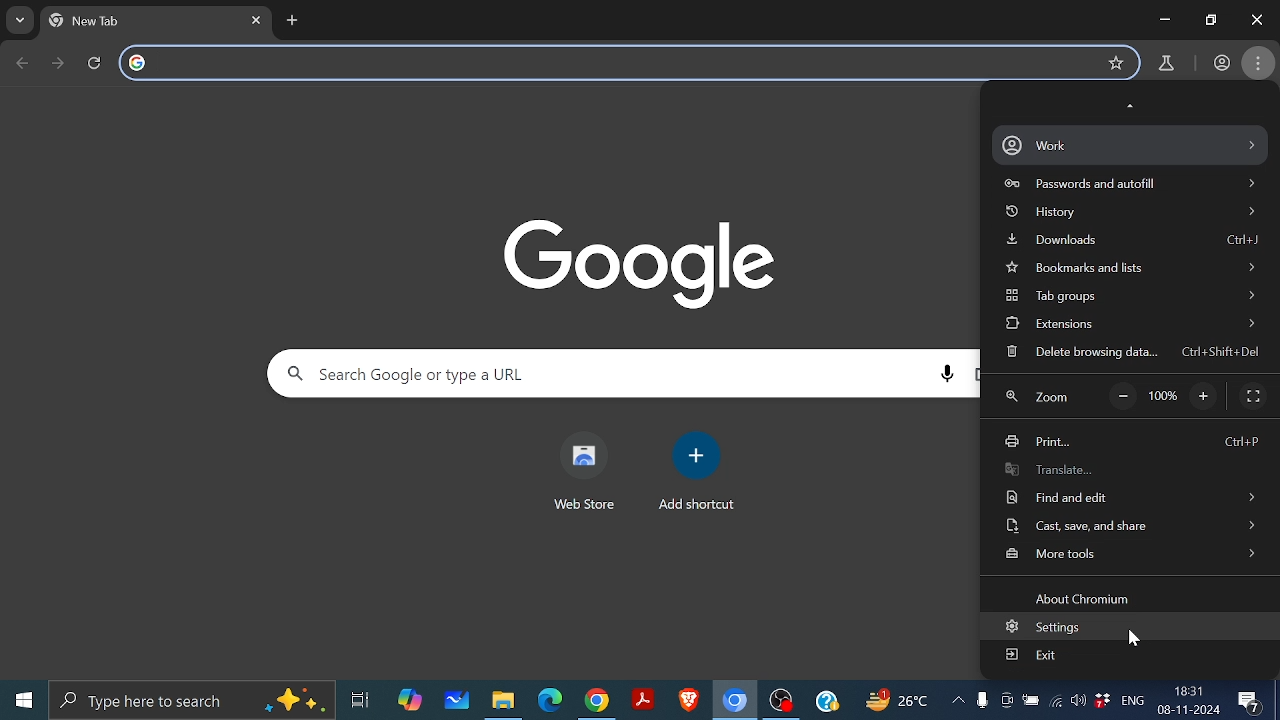 The height and width of the screenshot is (720, 1280). Describe the element at coordinates (1168, 64) in the screenshot. I see `Google lab` at that location.